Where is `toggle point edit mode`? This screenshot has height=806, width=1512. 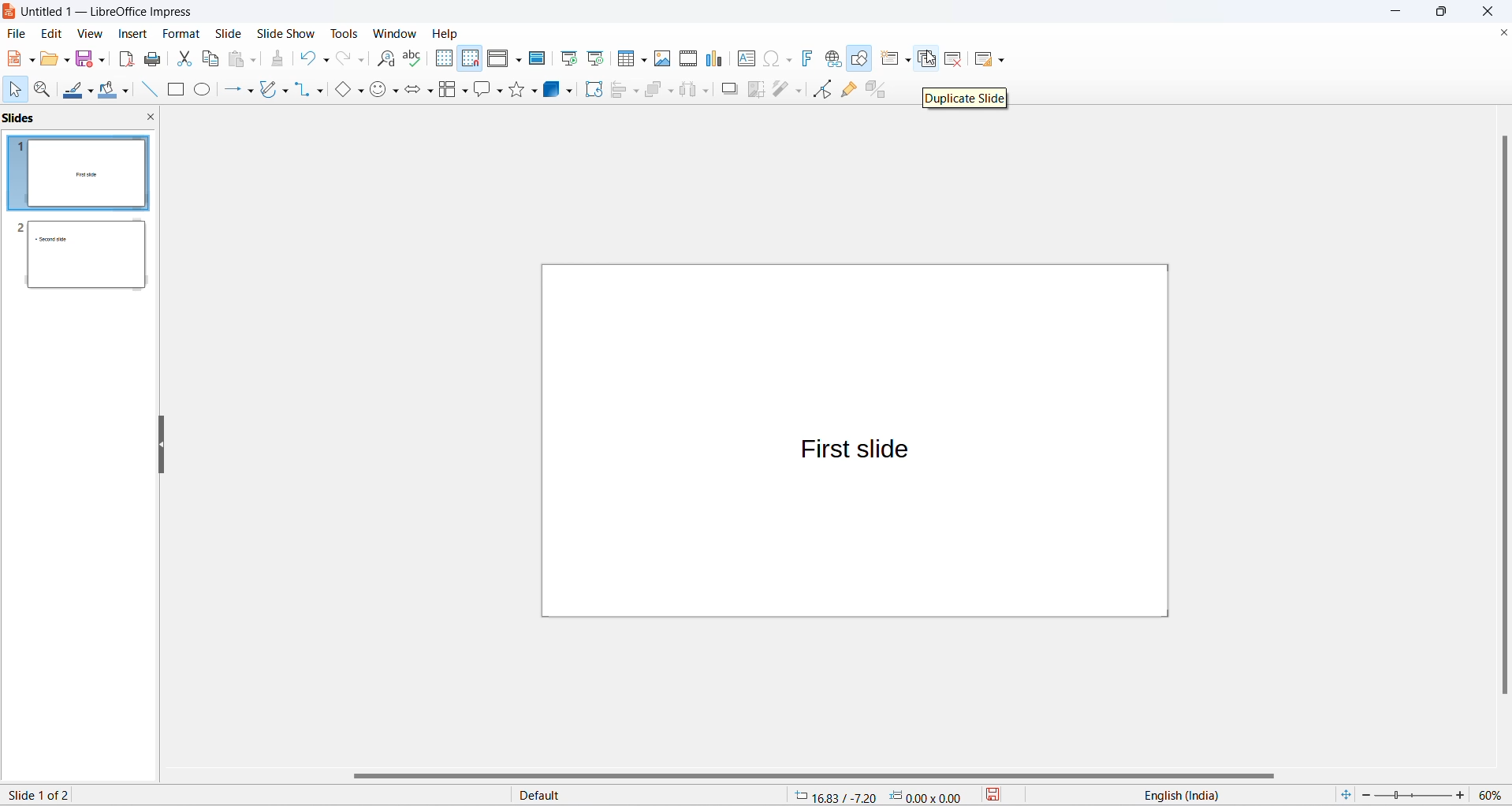 toggle point edit mode is located at coordinates (779, 88).